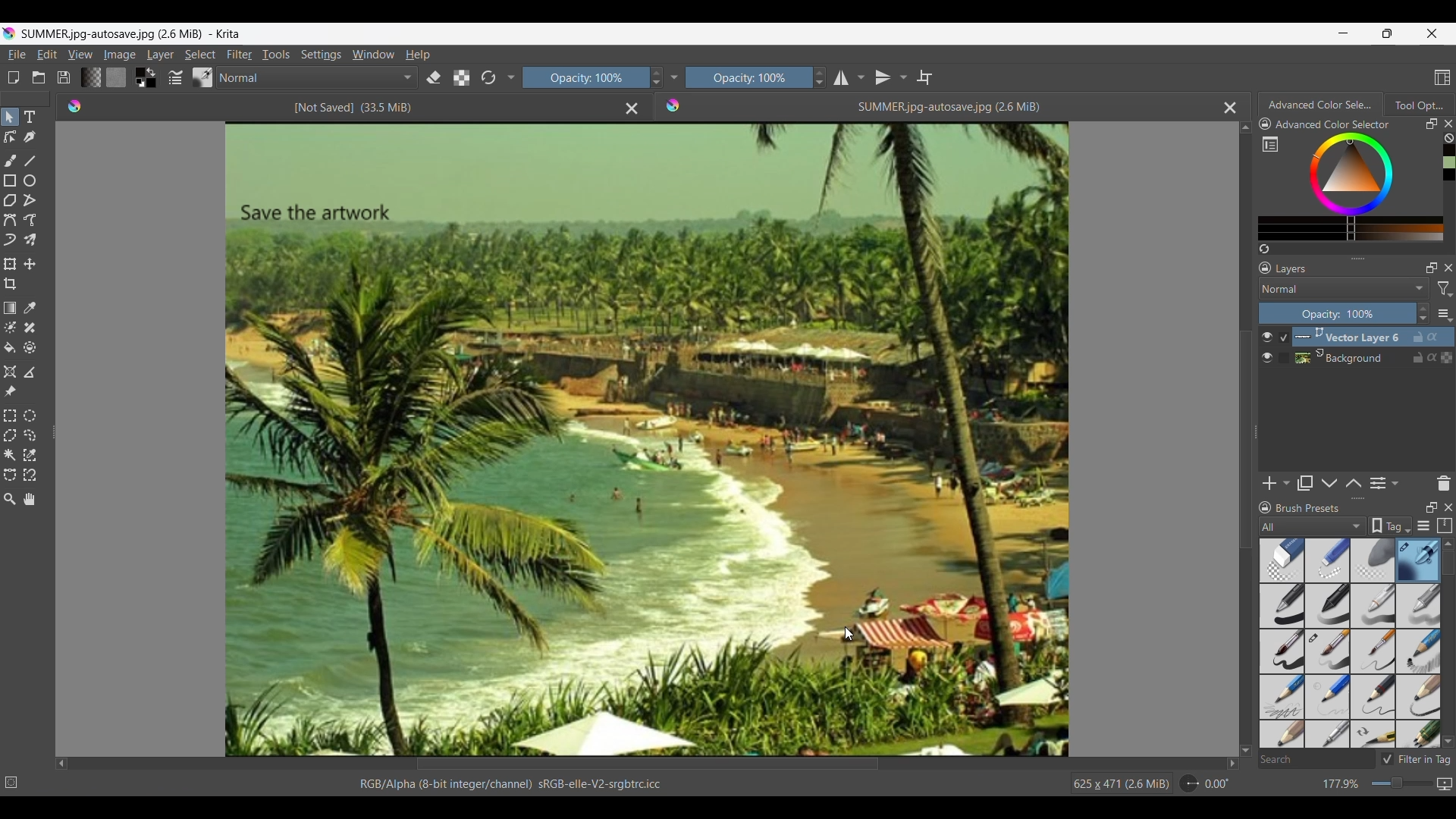  Describe the element at coordinates (10, 160) in the screenshot. I see `Freehand brush tool` at that location.